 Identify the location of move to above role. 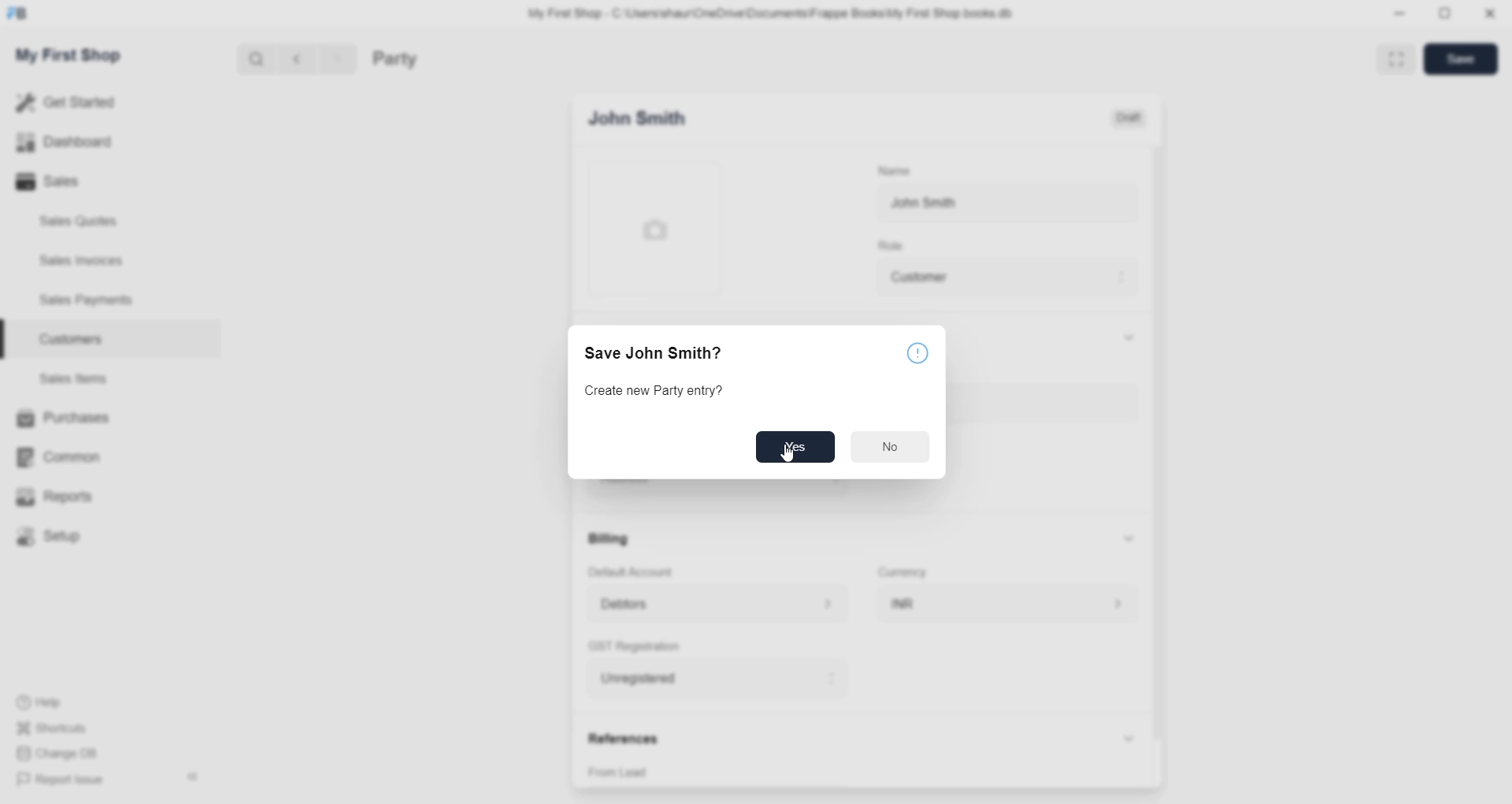
(1124, 270).